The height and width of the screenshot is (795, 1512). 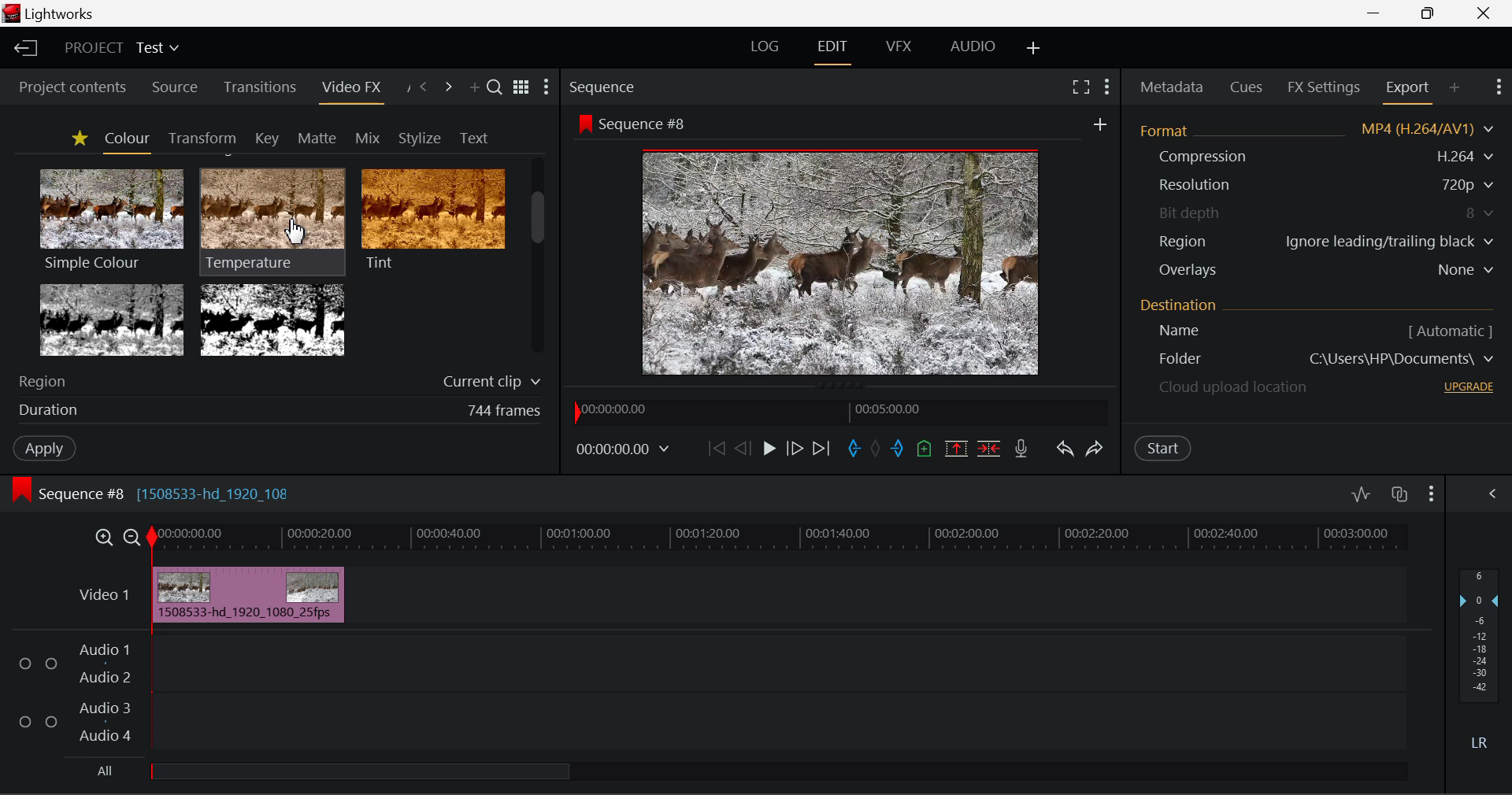 I want to click on Restore Down, so click(x=1374, y=12).